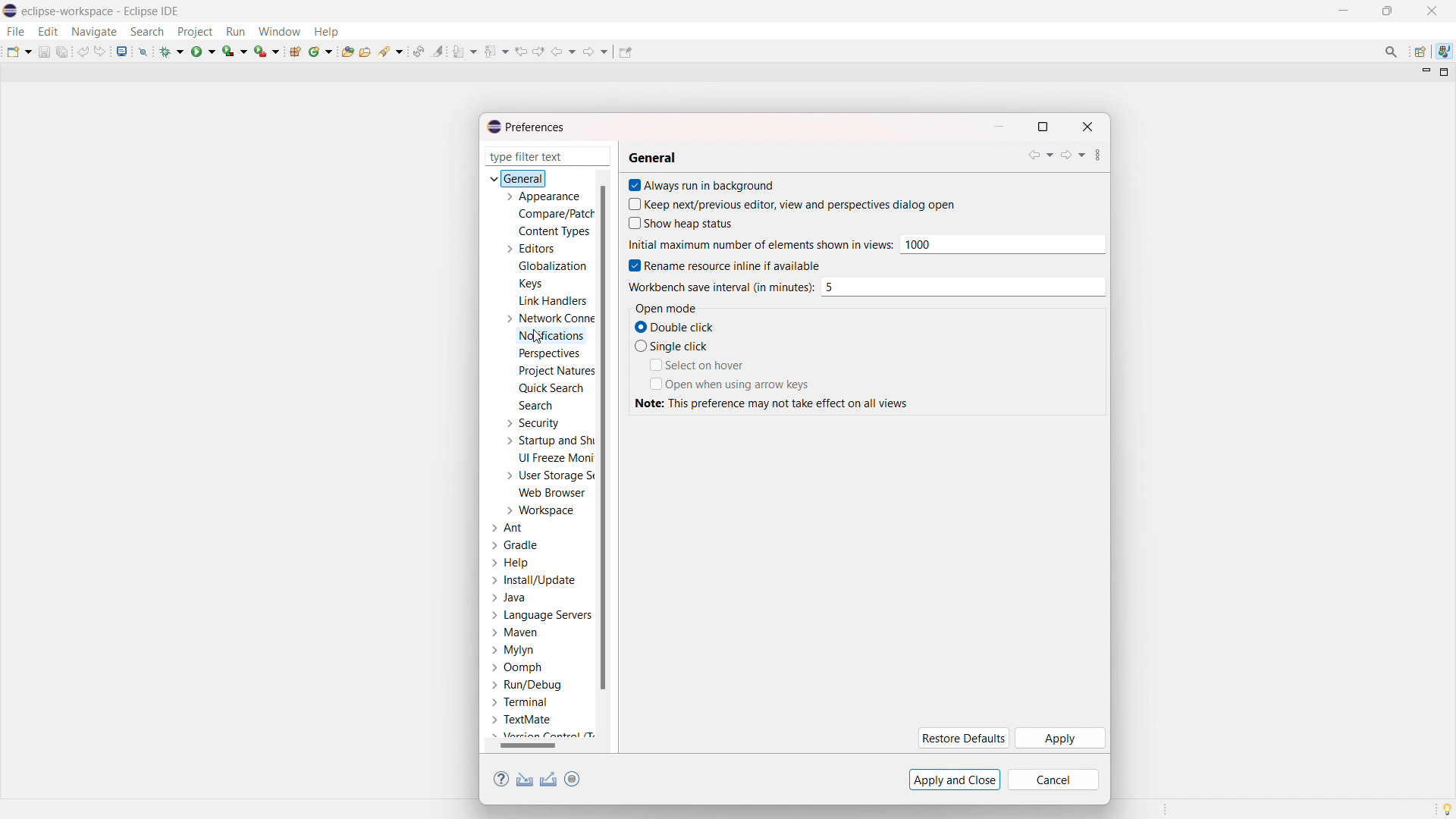 This screenshot has height=819, width=1456. What do you see at coordinates (962, 739) in the screenshot?
I see `restore defaults` at bounding box center [962, 739].